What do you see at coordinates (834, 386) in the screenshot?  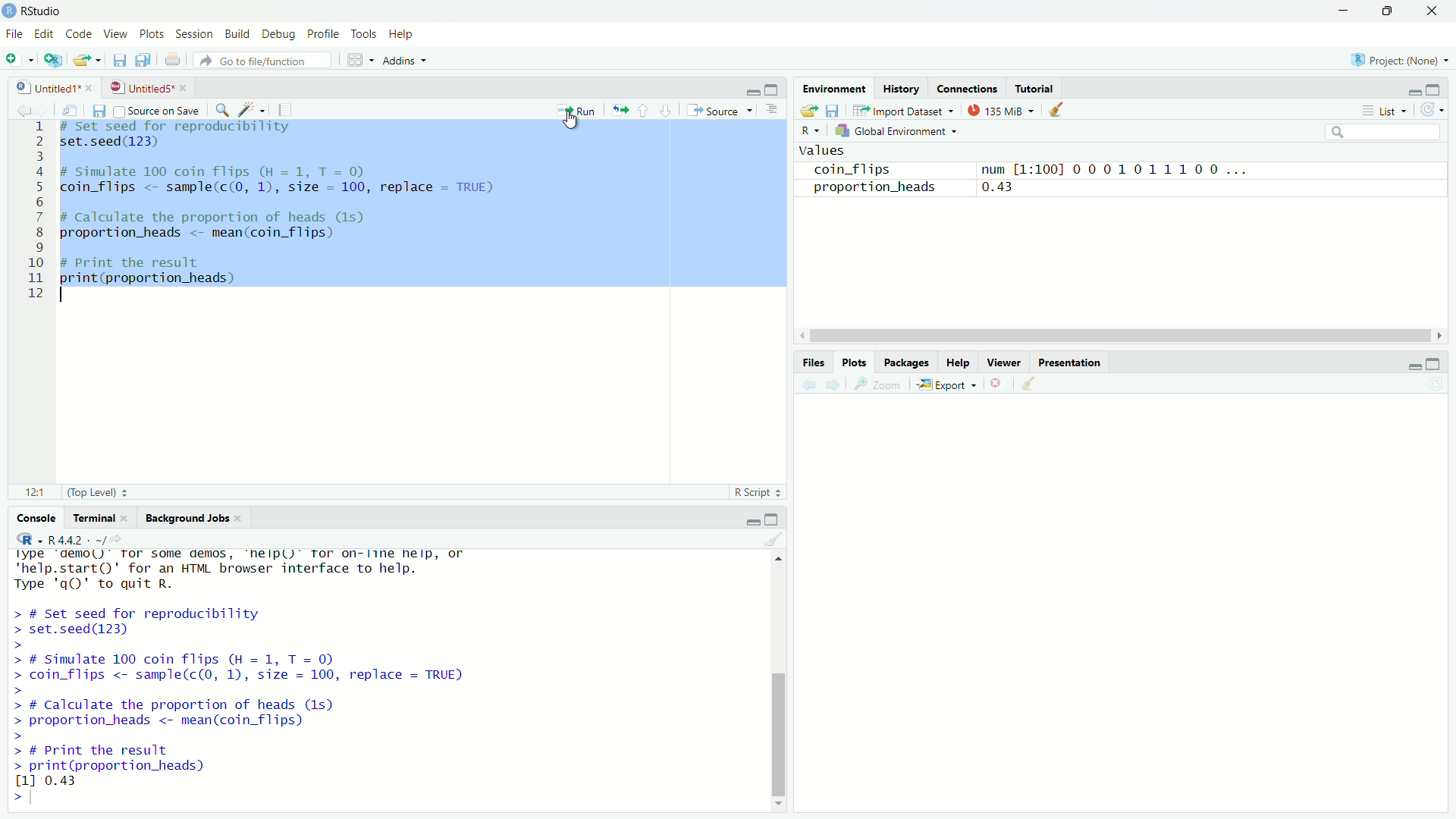 I see `next plot` at bounding box center [834, 386].